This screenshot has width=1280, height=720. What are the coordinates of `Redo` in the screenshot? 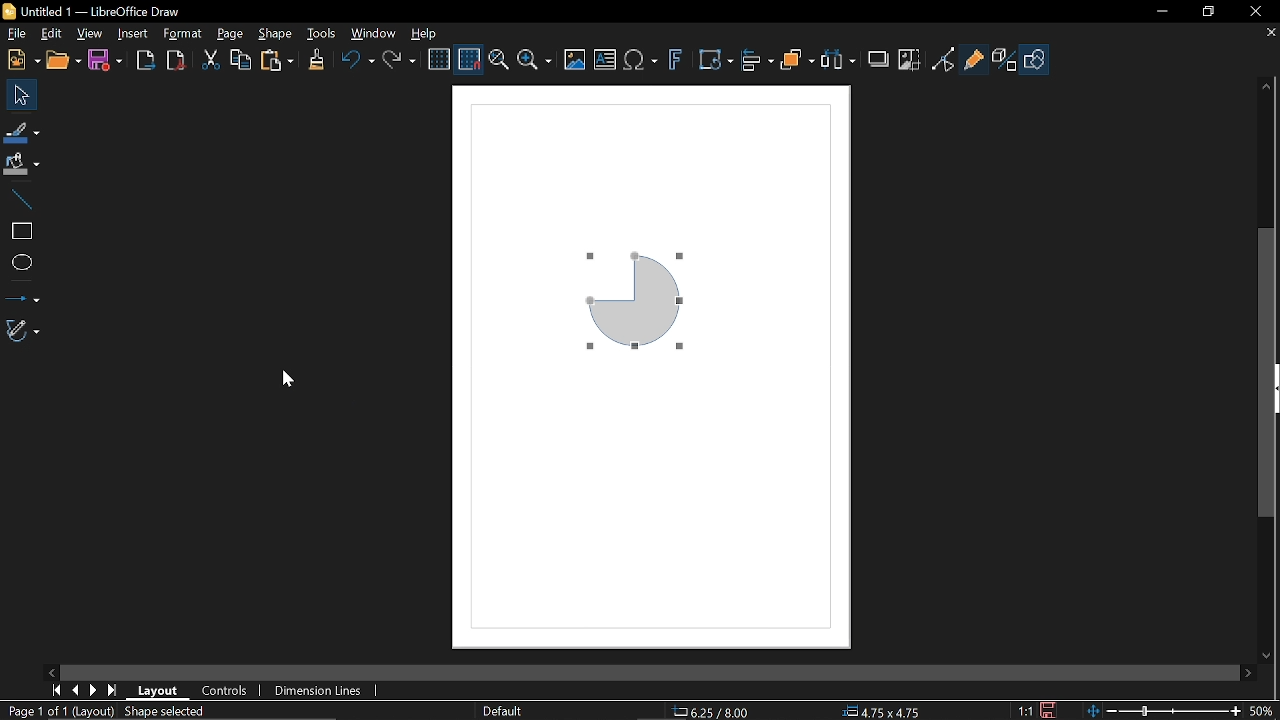 It's located at (398, 61).